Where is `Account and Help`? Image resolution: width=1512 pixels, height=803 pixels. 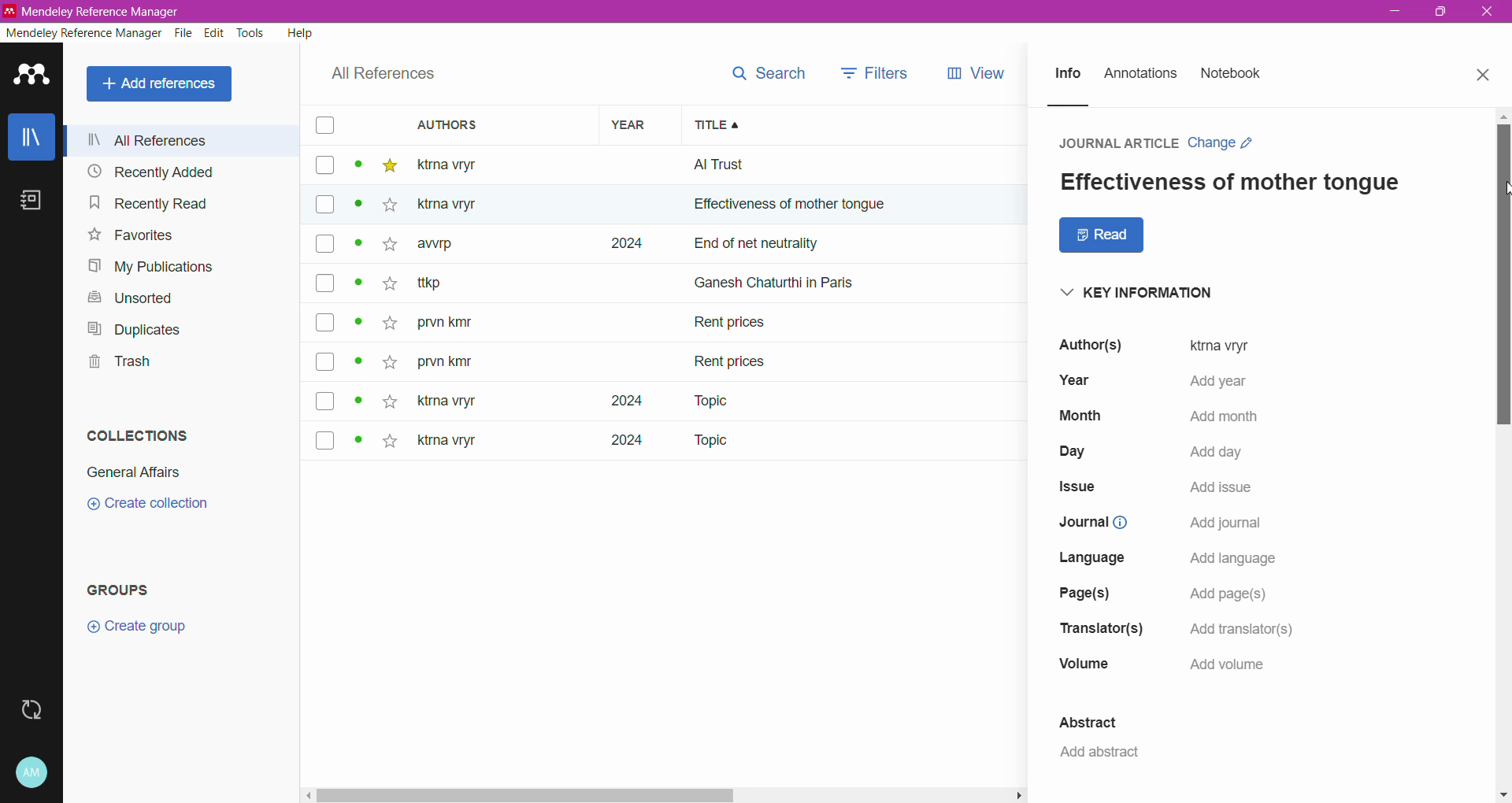 Account and Help is located at coordinates (32, 773).